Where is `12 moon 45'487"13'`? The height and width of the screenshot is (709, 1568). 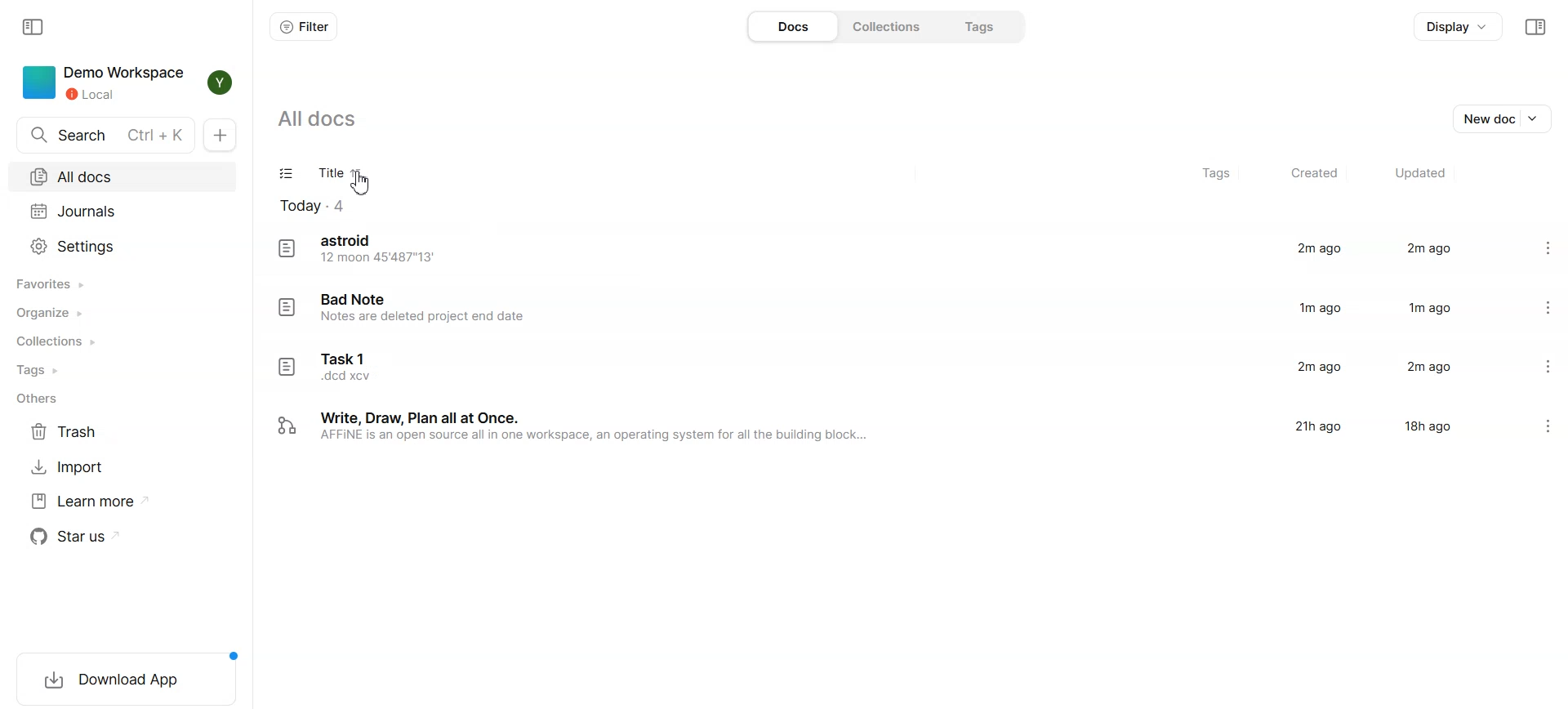
12 moon 45'487"13' is located at coordinates (377, 257).